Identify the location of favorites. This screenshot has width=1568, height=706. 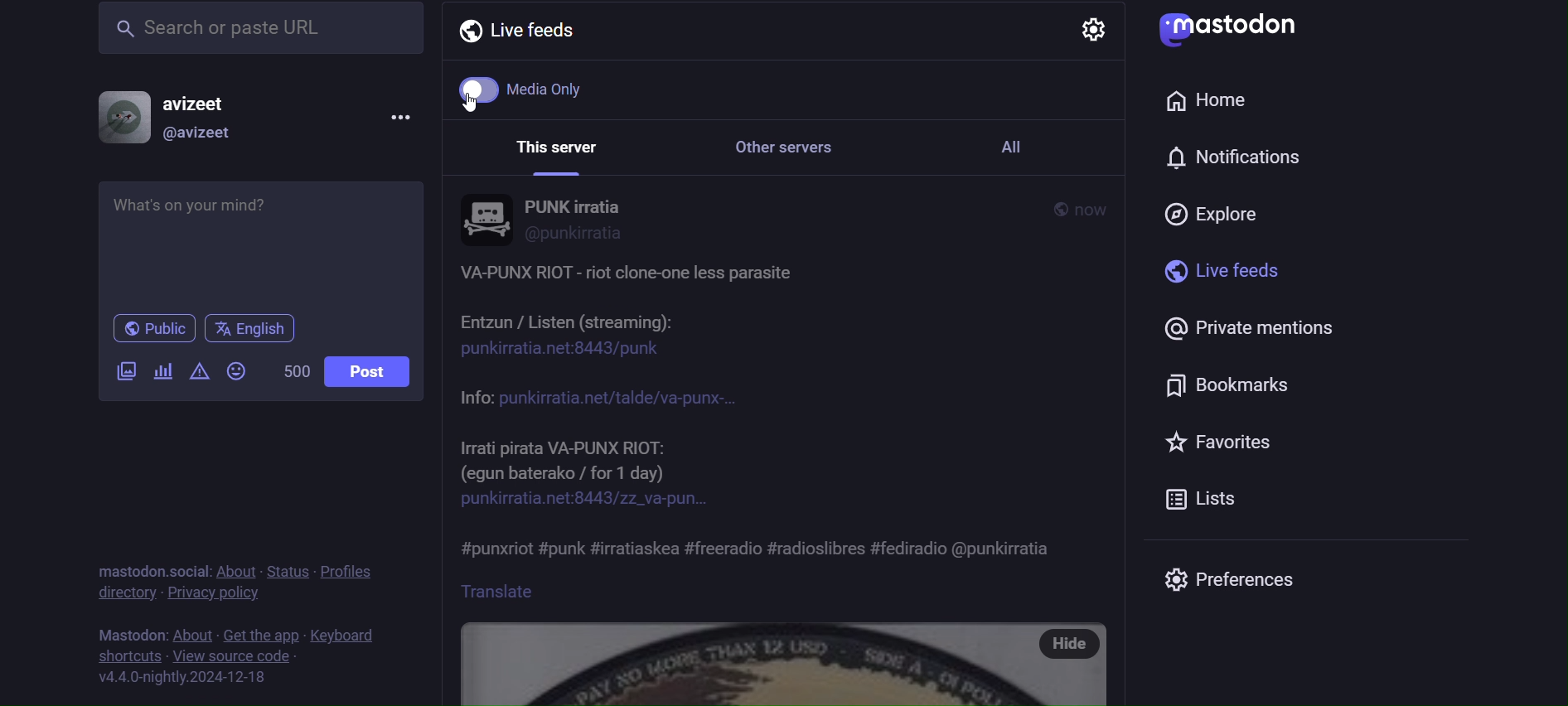
(1222, 442).